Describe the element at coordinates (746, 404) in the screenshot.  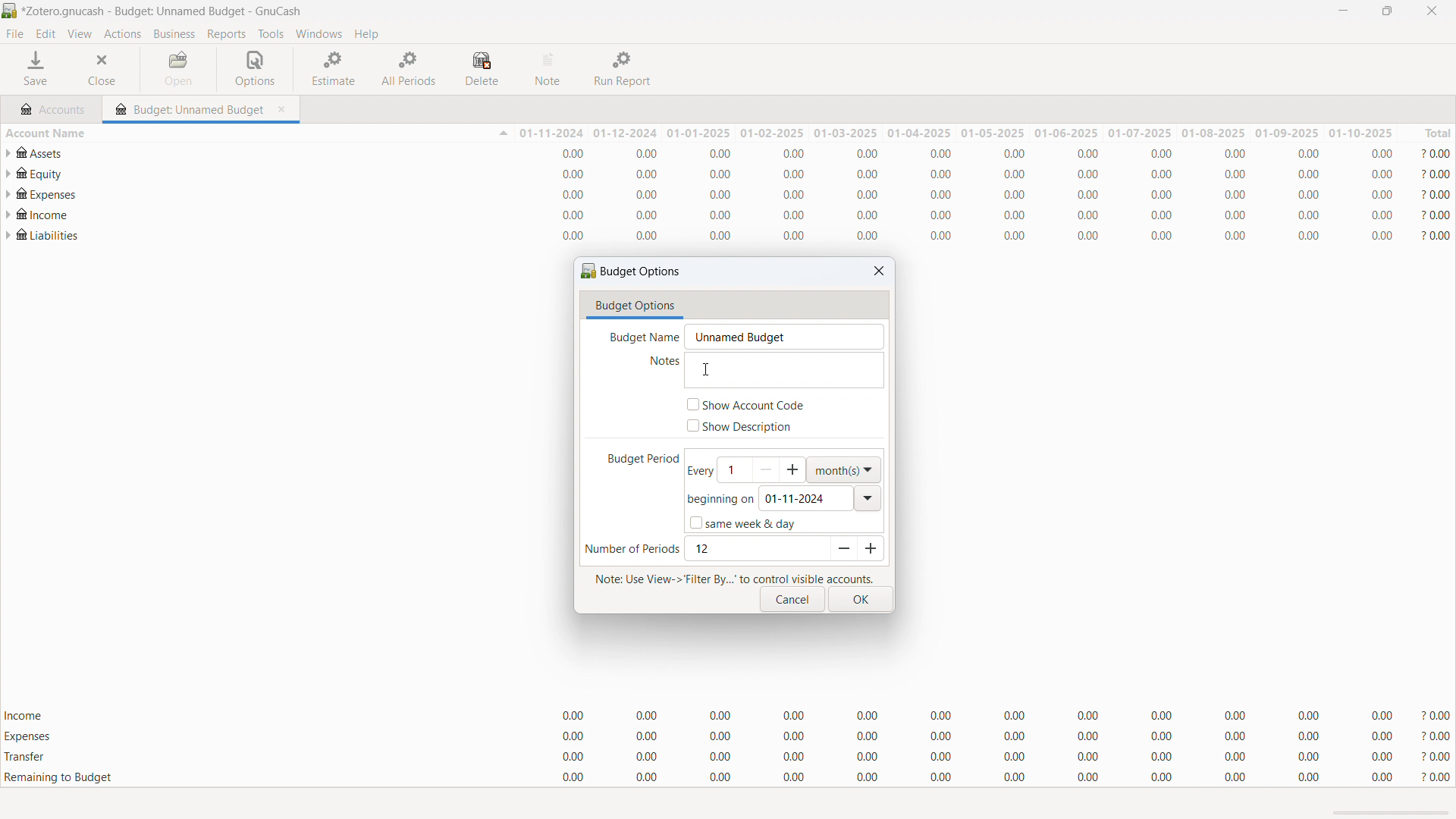
I see `show account code` at that location.